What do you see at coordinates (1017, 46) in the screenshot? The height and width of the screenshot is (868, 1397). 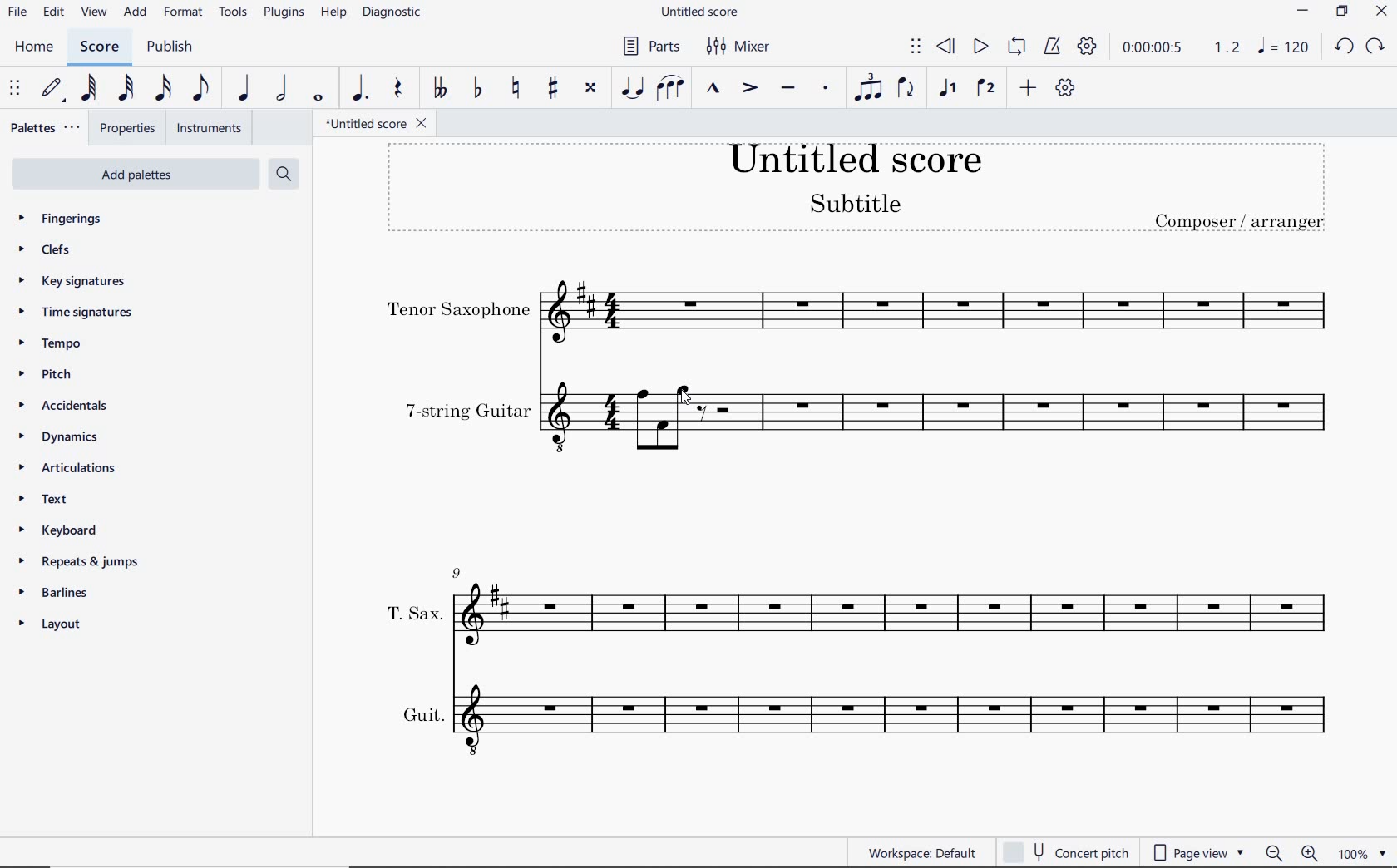 I see `LOOP PLAYBACK` at bounding box center [1017, 46].